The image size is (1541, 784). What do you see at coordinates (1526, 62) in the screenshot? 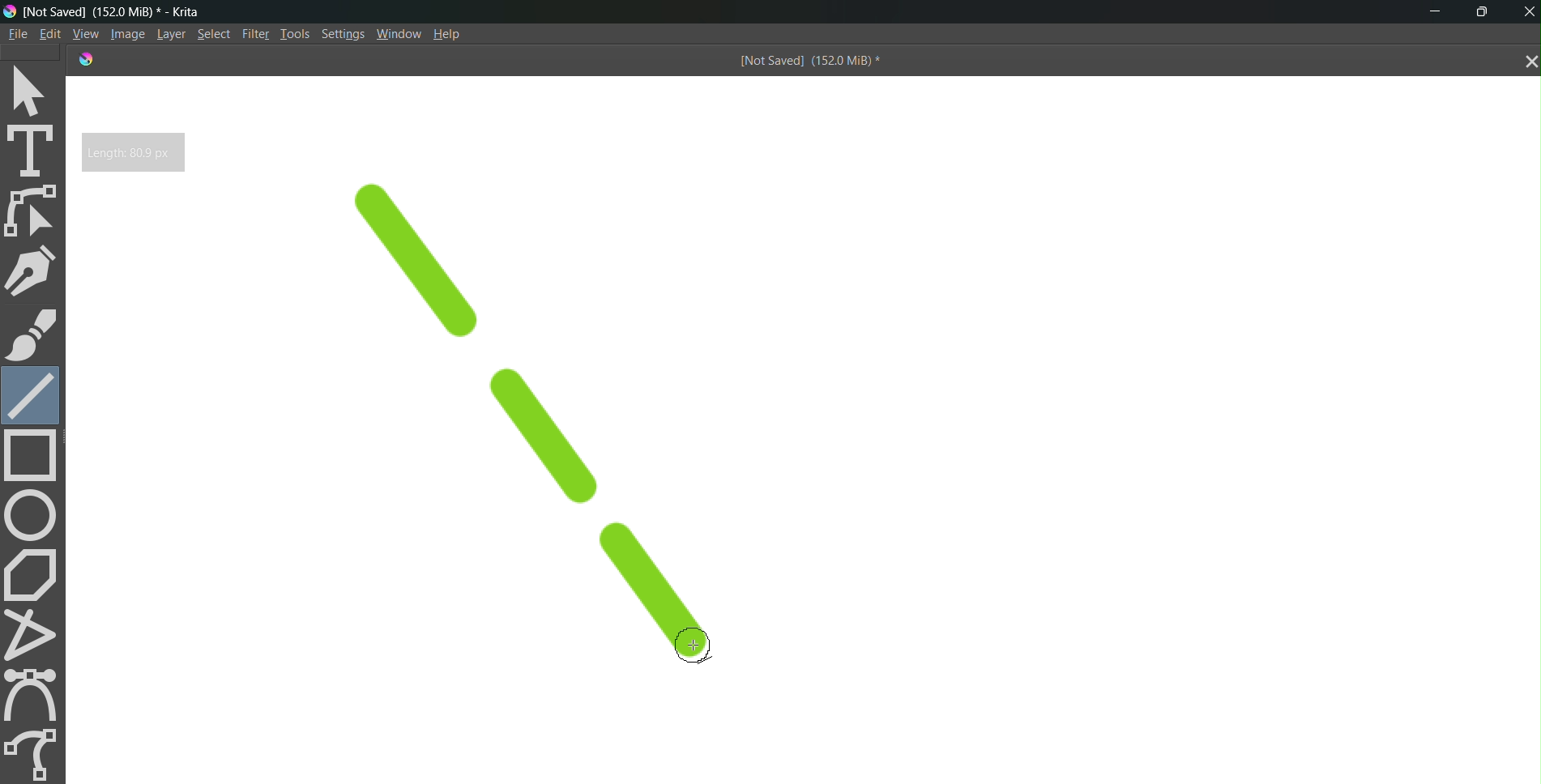
I see `close tab` at bounding box center [1526, 62].